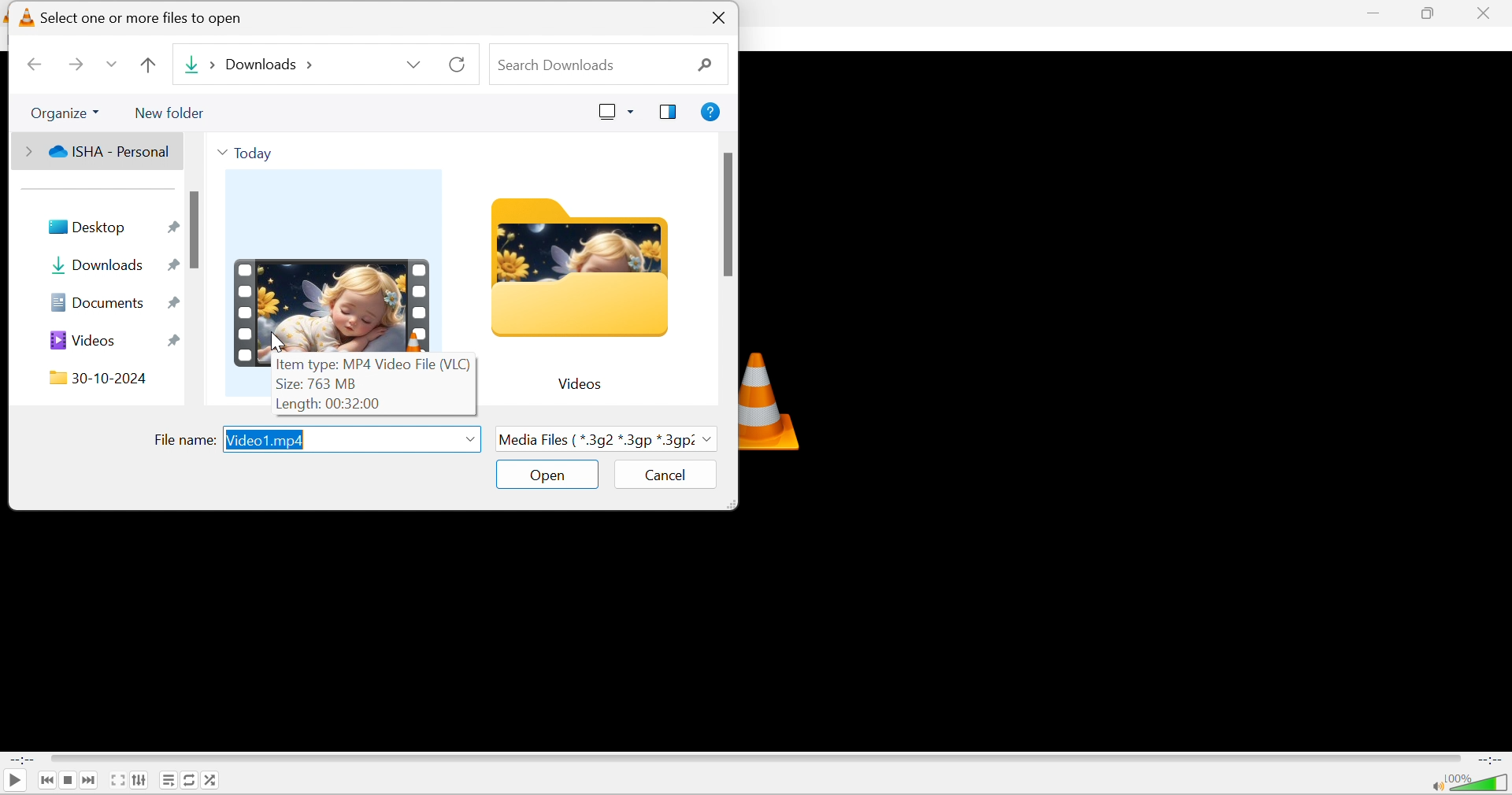  I want to click on Toggle the video in fullscreen, so click(118, 782).